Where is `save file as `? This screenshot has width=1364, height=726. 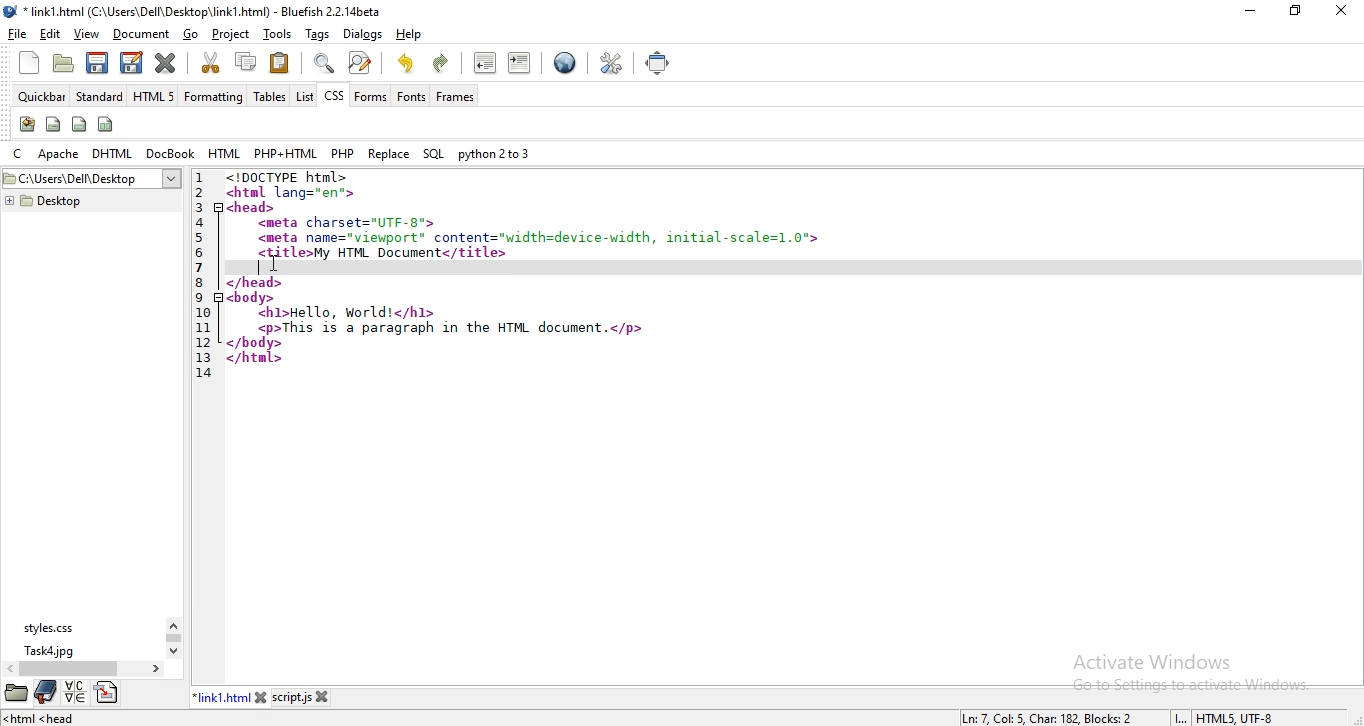
save file as  is located at coordinates (130, 63).